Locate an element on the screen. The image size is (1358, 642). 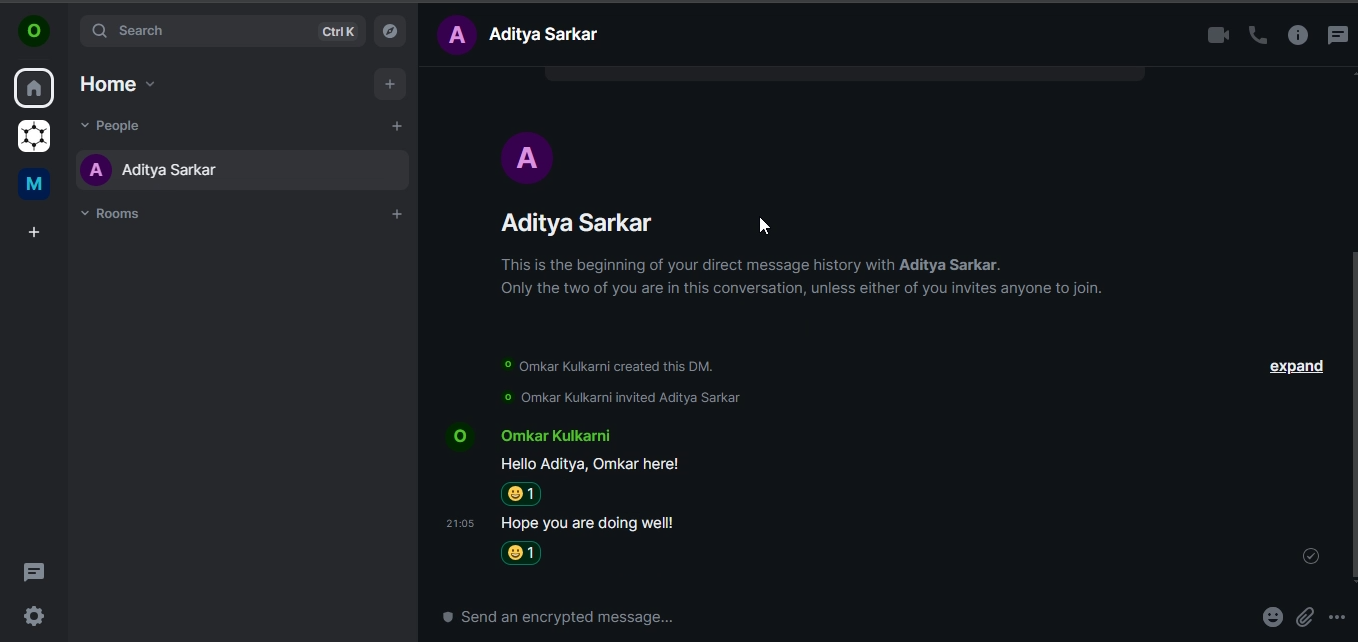
home is located at coordinates (115, 84).